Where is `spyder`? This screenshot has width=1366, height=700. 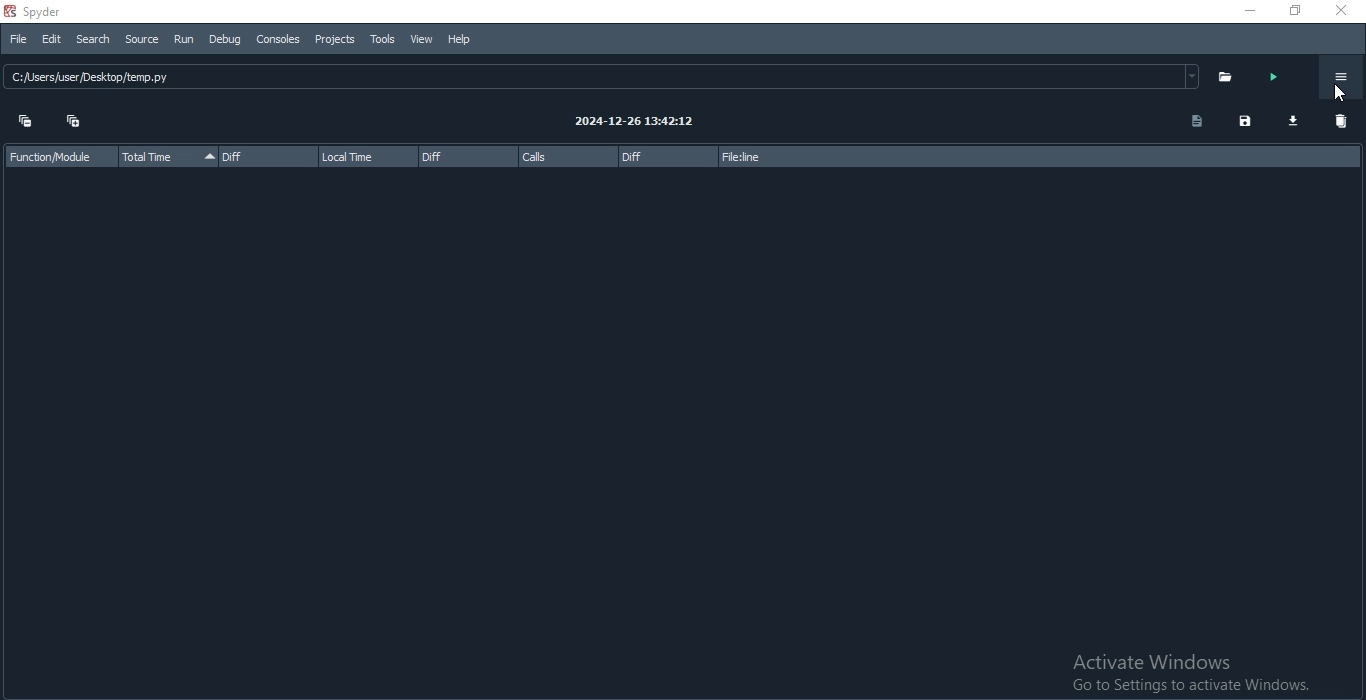
spyder is located at coordinates (47, 12).